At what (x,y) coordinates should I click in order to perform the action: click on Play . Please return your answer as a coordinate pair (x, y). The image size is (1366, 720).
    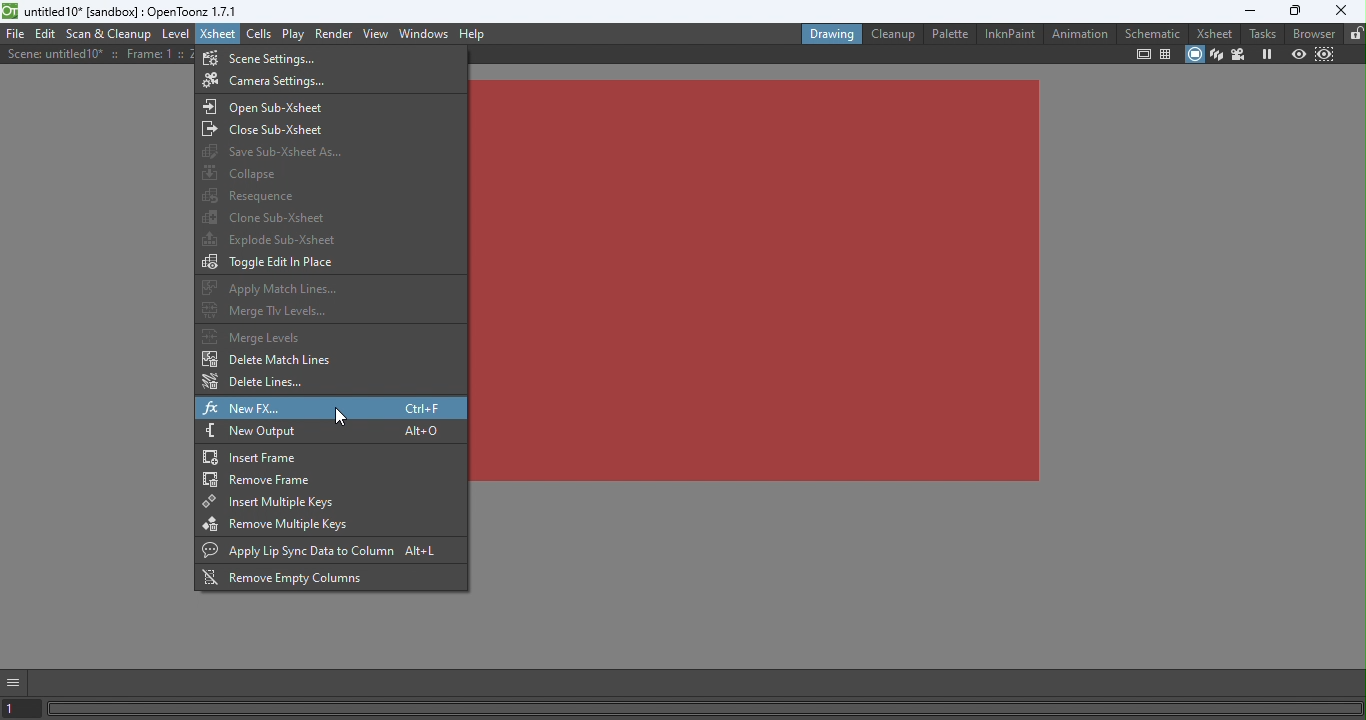
    Looking at the image, I should click on (295, 34).